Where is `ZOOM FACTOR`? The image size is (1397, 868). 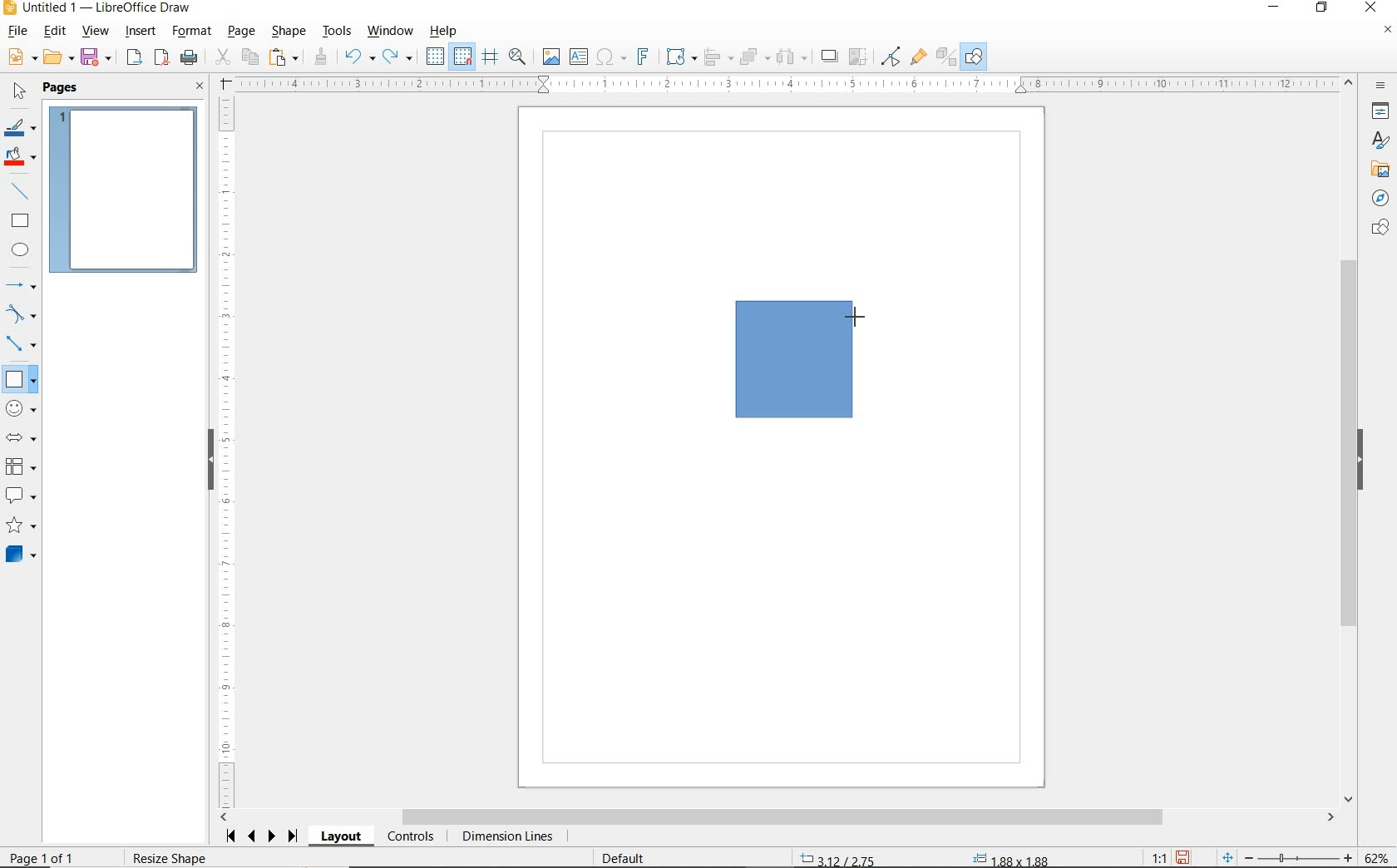 ZOOM FACTOR is located at coordinates (1375, 858).